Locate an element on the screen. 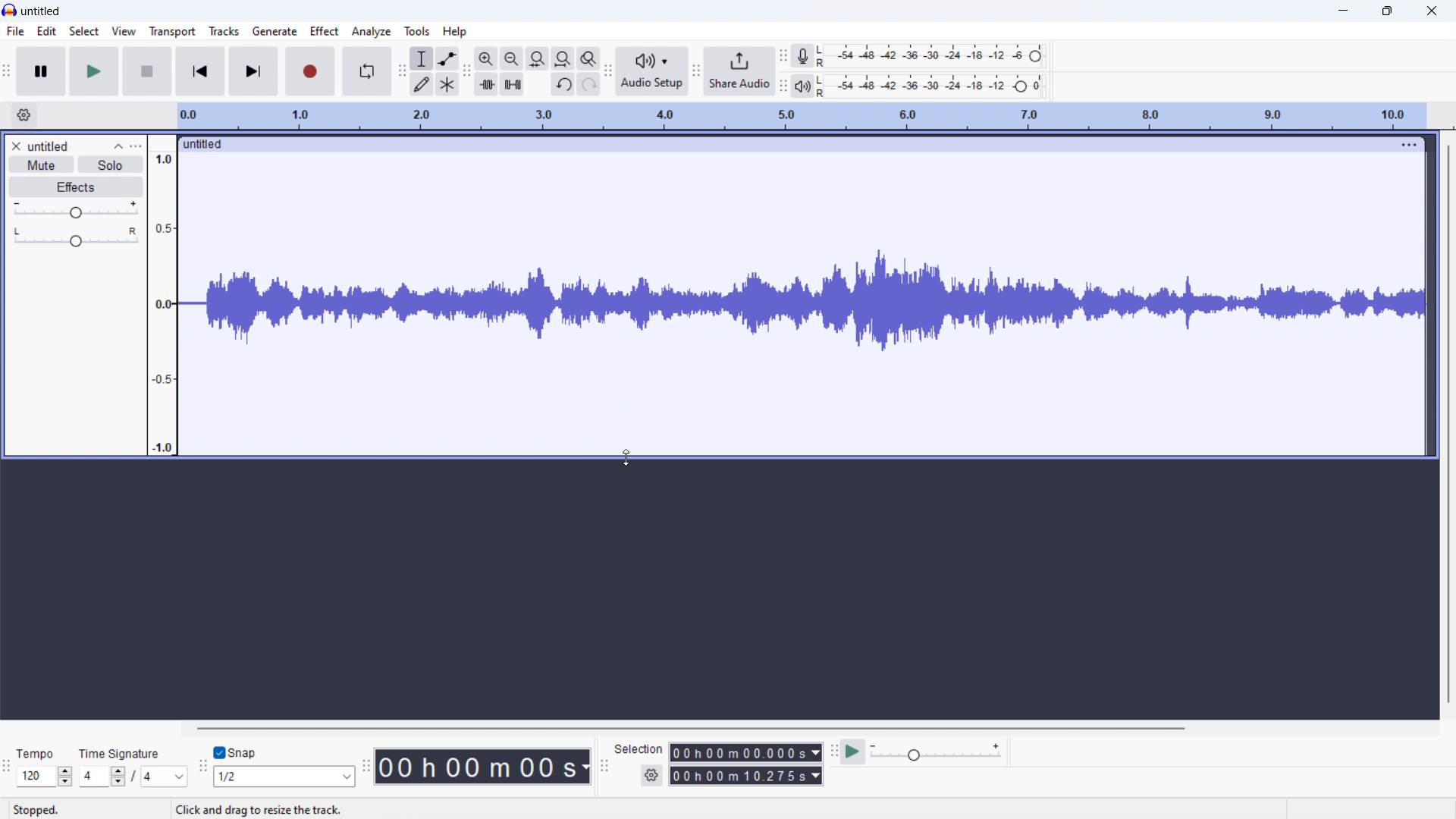 This screenshot has width=1456, height=819. Time signature is located at coordinates (121, 752).